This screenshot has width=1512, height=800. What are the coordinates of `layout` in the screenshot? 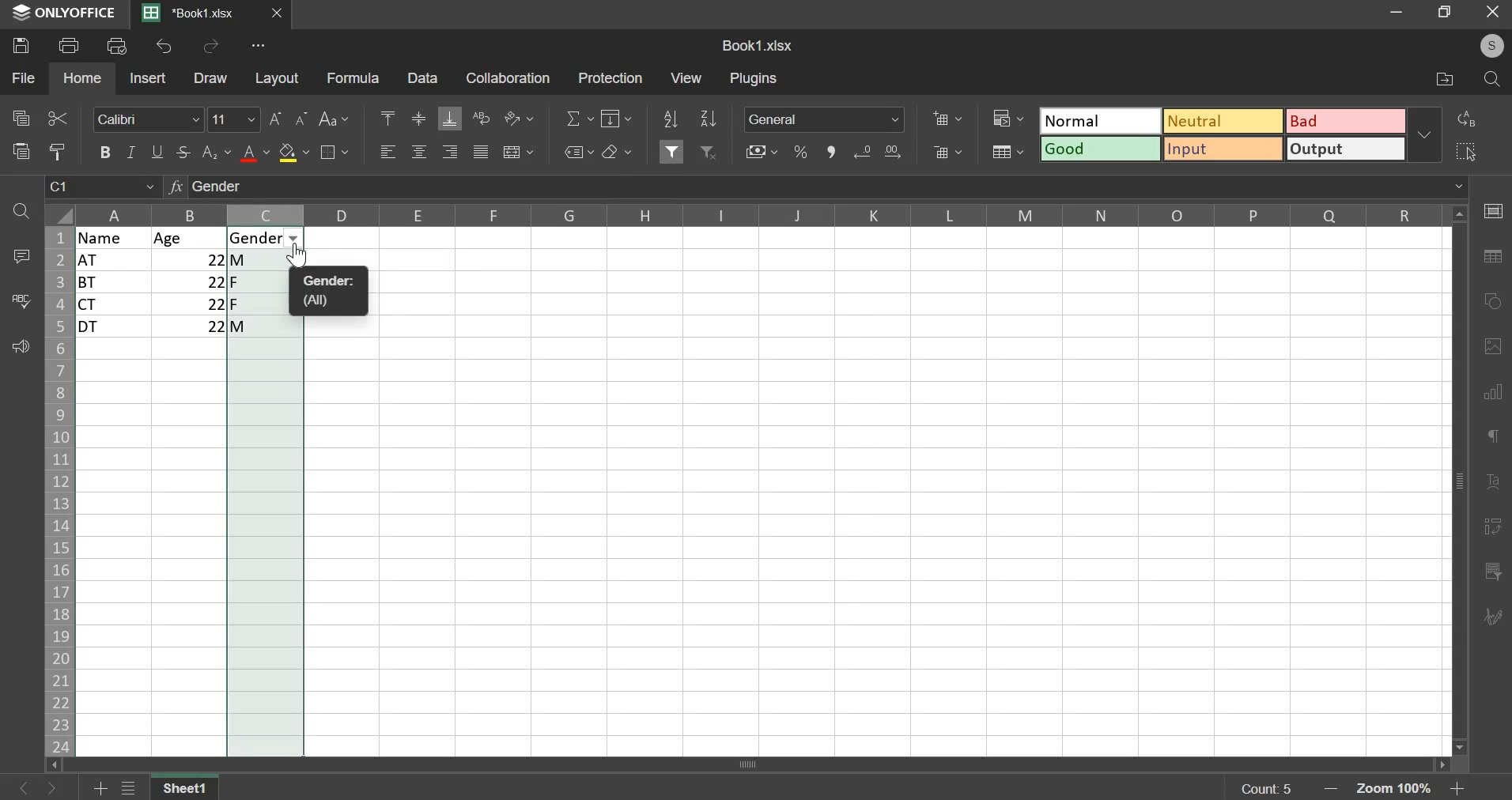 It's located at (276, 77).